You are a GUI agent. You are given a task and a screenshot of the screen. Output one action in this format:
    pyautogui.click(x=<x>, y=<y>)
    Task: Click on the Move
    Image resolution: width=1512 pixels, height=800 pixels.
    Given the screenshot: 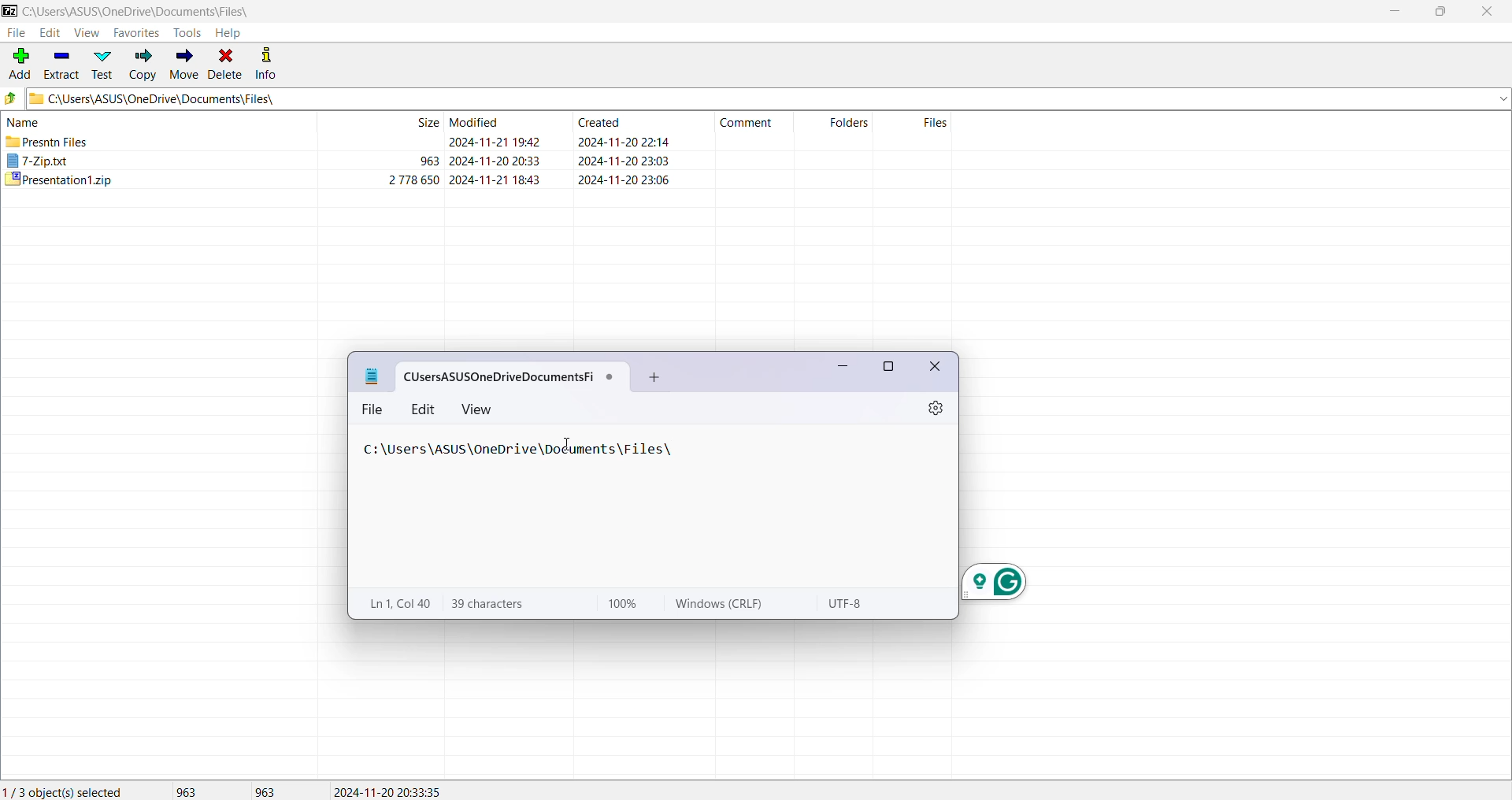 What is the action you would take?
    pyautogui.click(x=183, y=65)
    